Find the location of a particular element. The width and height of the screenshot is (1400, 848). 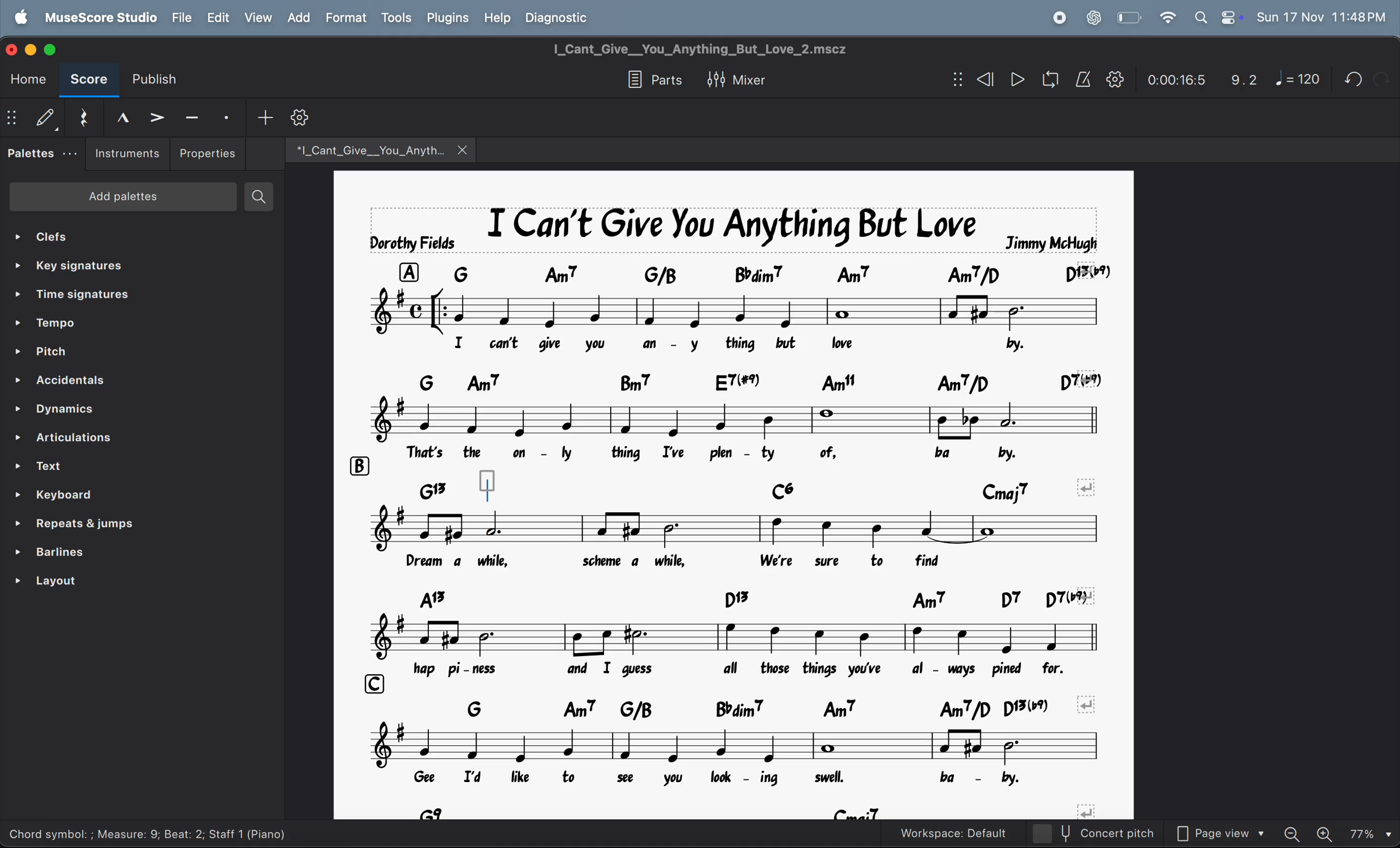

redo is located at coordinates (1380, 79).